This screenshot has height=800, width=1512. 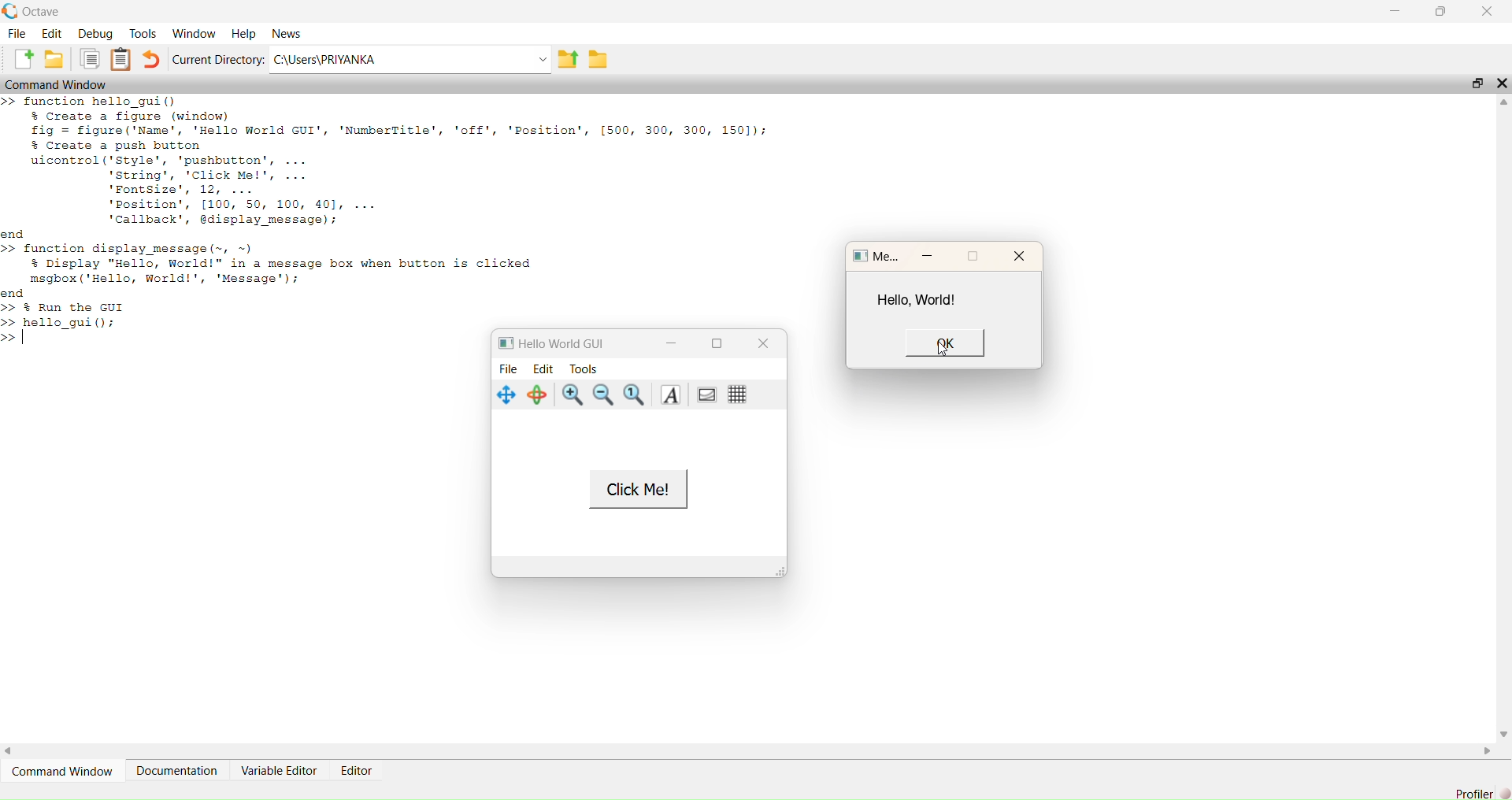 What do you see at coordinates (143, 31) in the screenshot?
I see `Tools` at bounding box center [143, 31].